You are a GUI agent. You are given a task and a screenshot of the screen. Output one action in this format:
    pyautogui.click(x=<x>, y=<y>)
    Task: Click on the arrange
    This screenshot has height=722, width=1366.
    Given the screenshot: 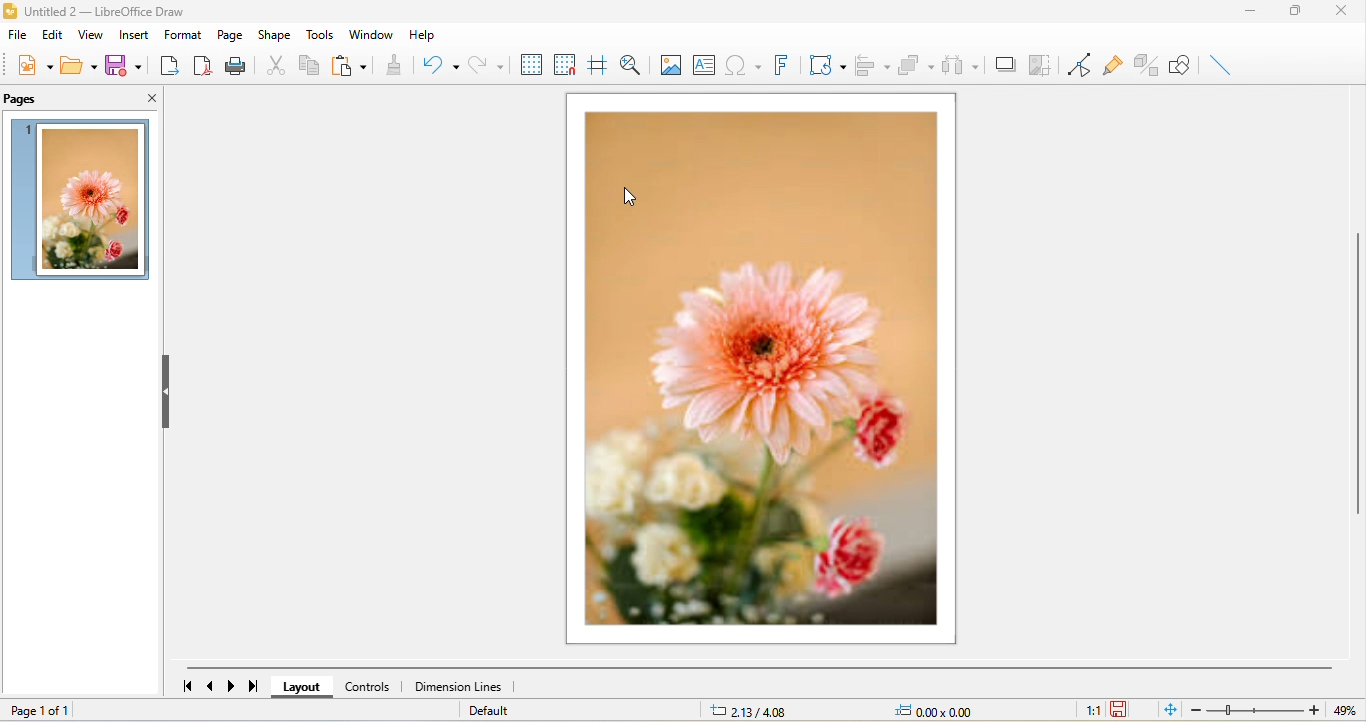 What is the action you would take?
    pyautogui.click(x=914, y=65)
    